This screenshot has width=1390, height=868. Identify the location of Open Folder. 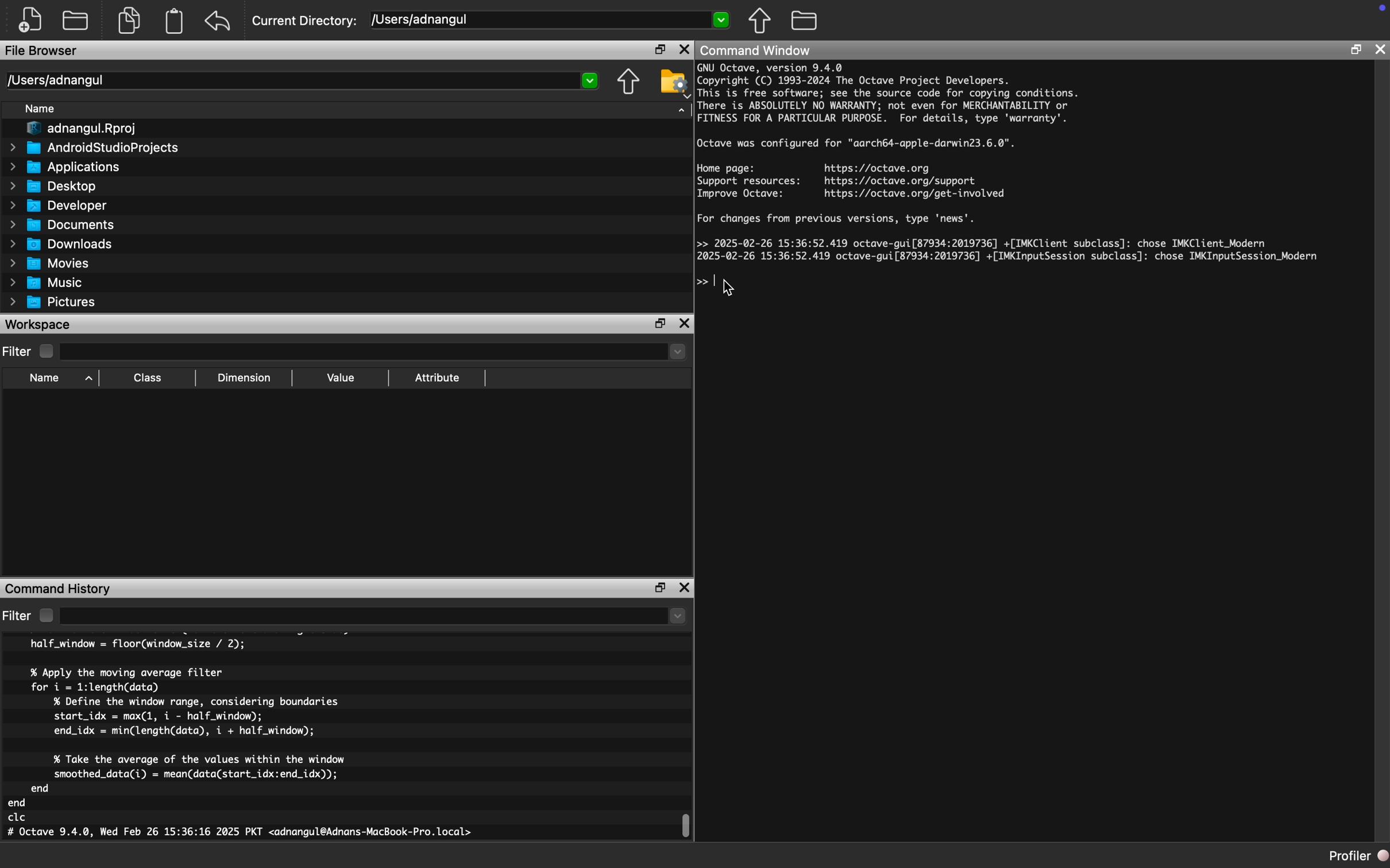
(77, 21).